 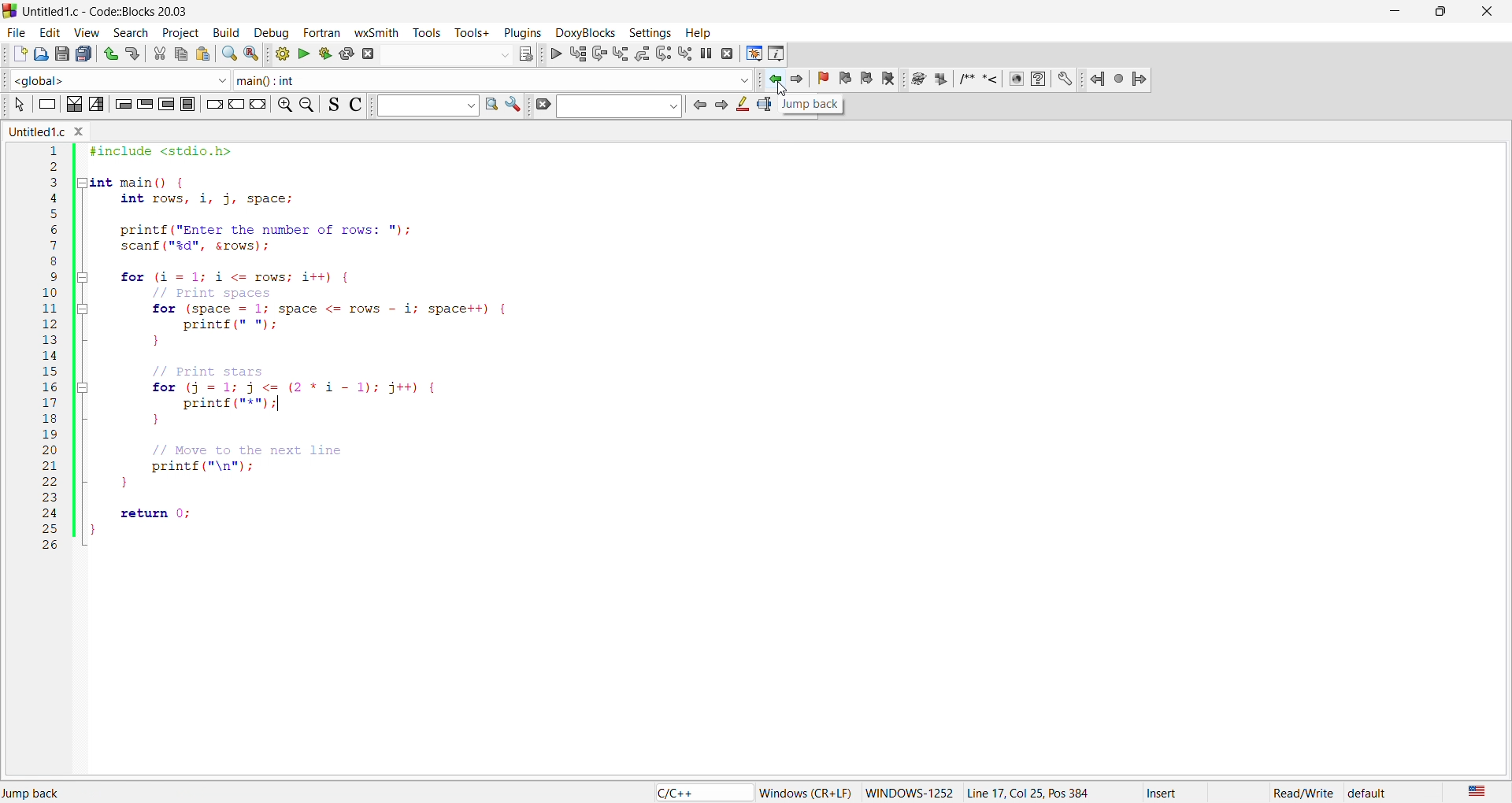 What do you see at coordinates (129, 31) in the screenshot?
I see `search` at bounding box center [129, 31].